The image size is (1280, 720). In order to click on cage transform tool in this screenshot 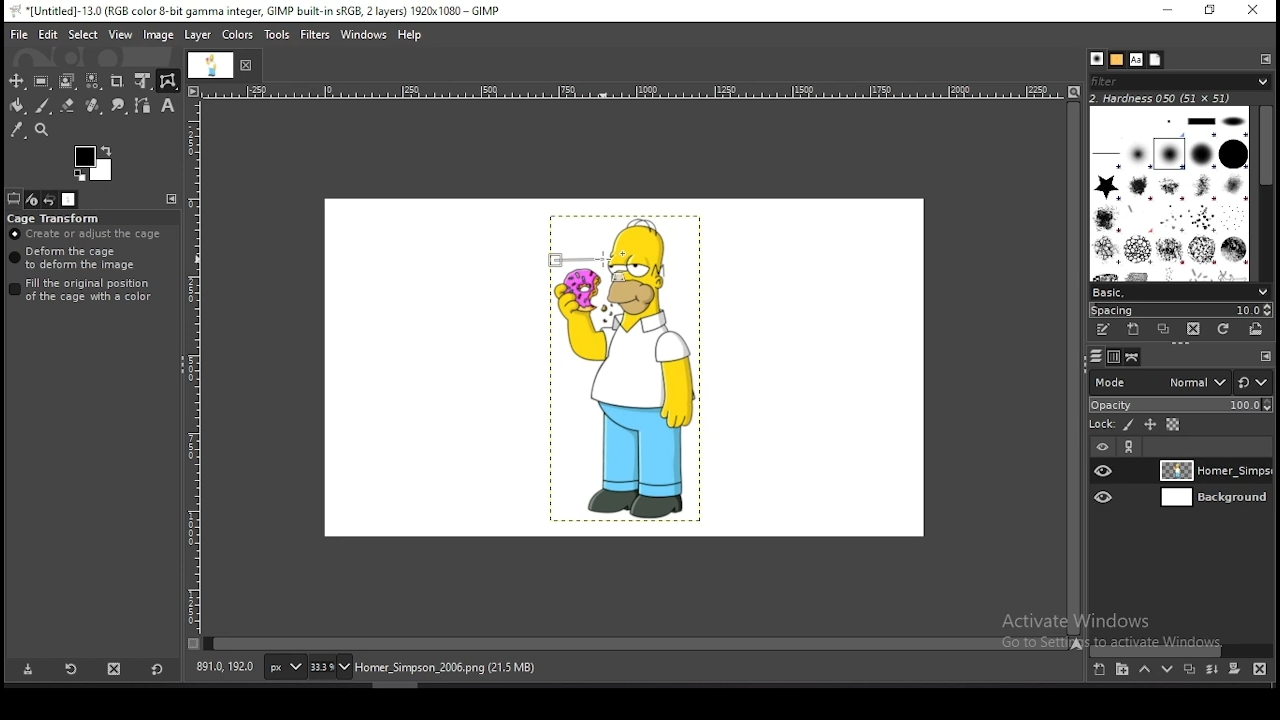, I will do `click(168, 81)`.